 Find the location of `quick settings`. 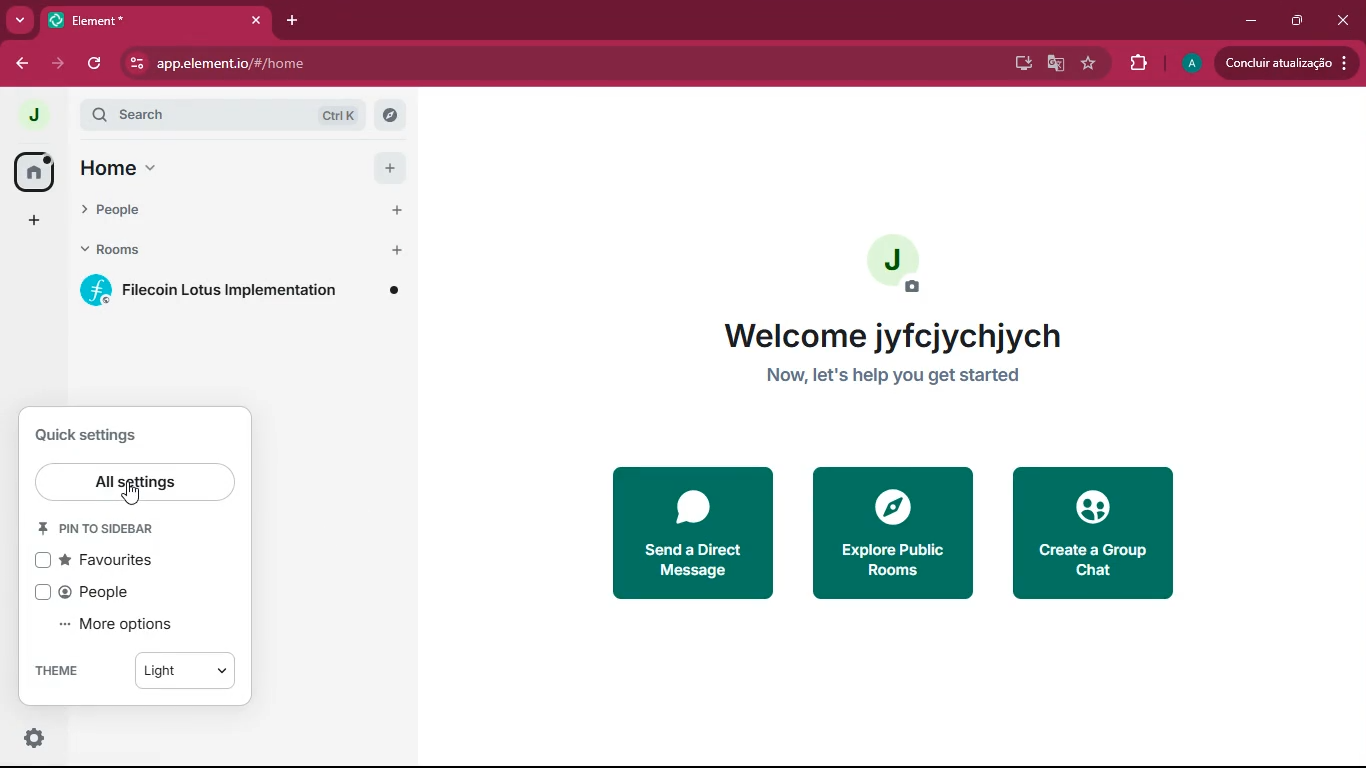

quick settings is located at coordinates (88, 433).